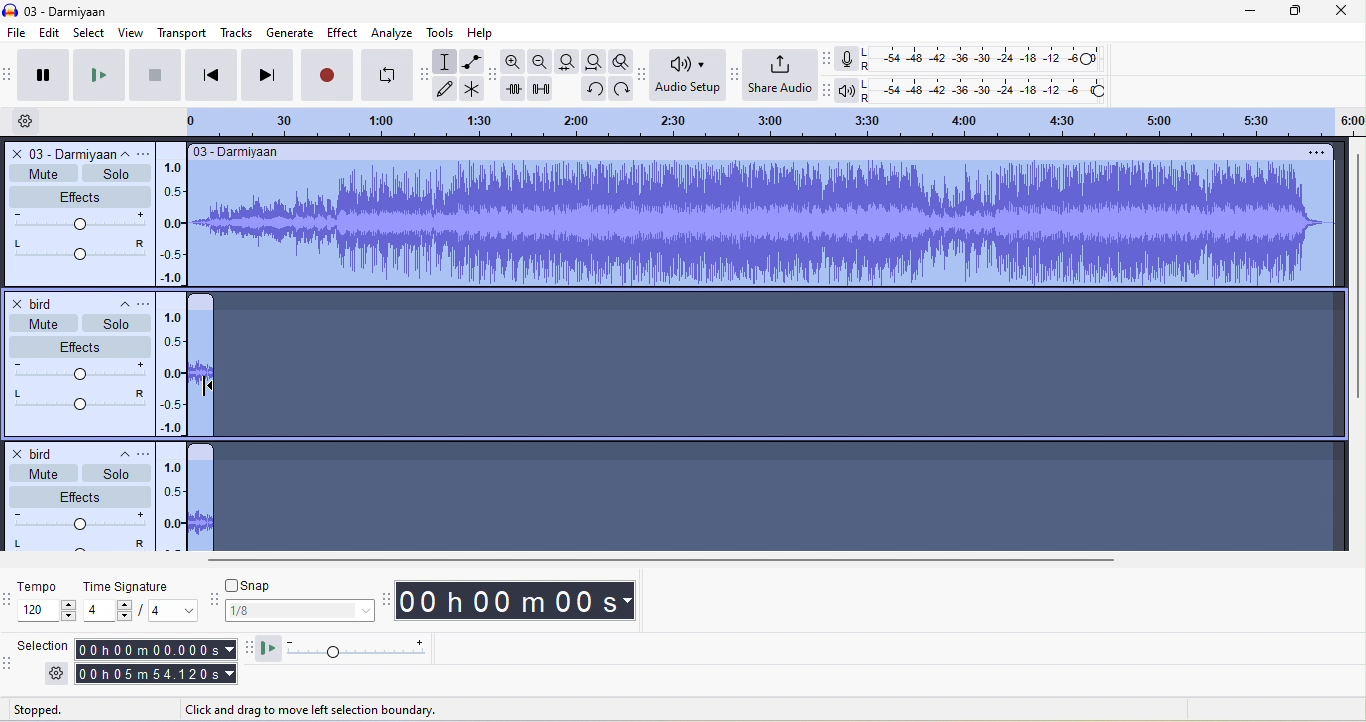  I want to click on recording level, so click(982, 59).